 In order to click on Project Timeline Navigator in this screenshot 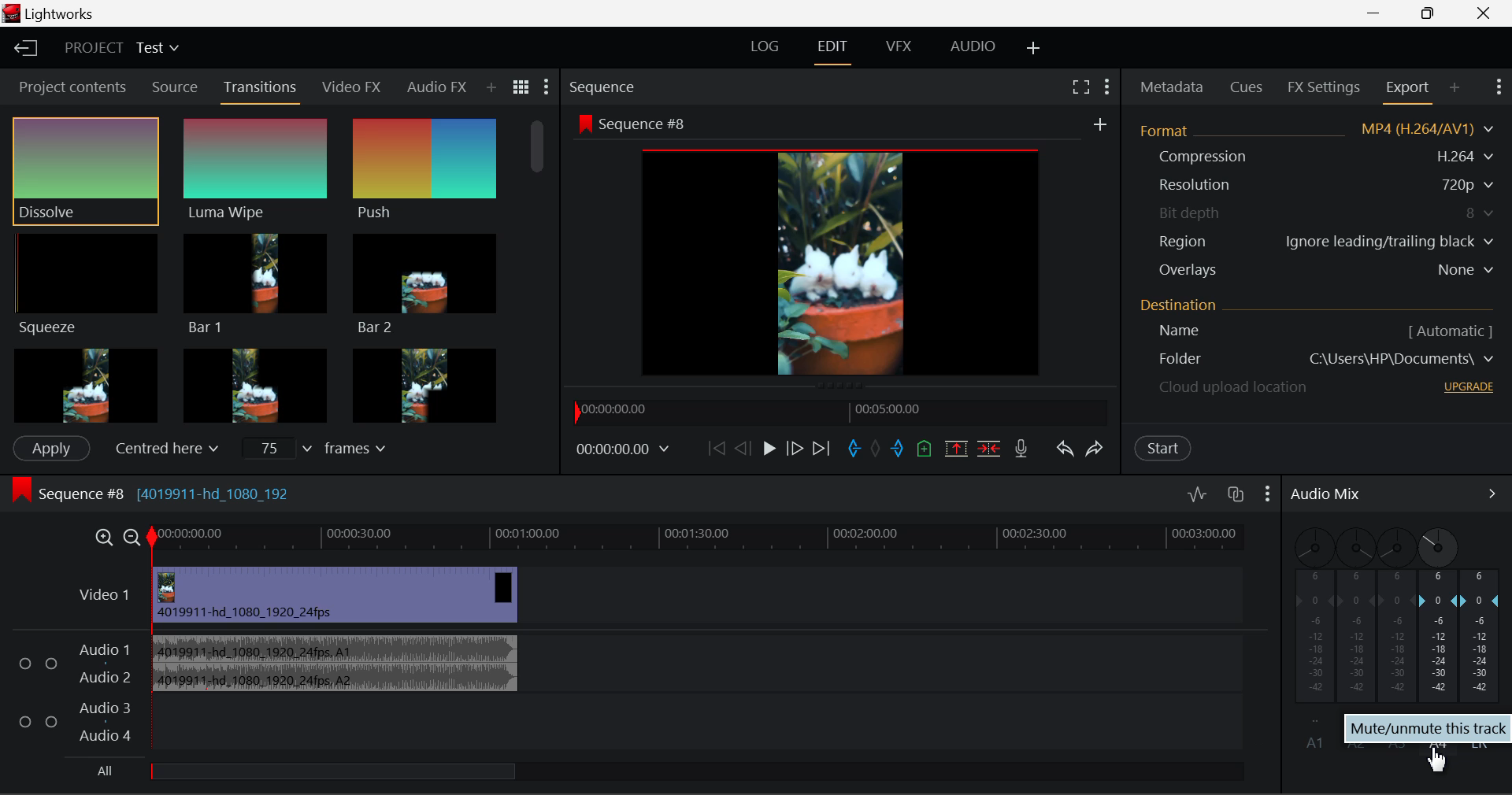, I will do `click(841, 412)`.